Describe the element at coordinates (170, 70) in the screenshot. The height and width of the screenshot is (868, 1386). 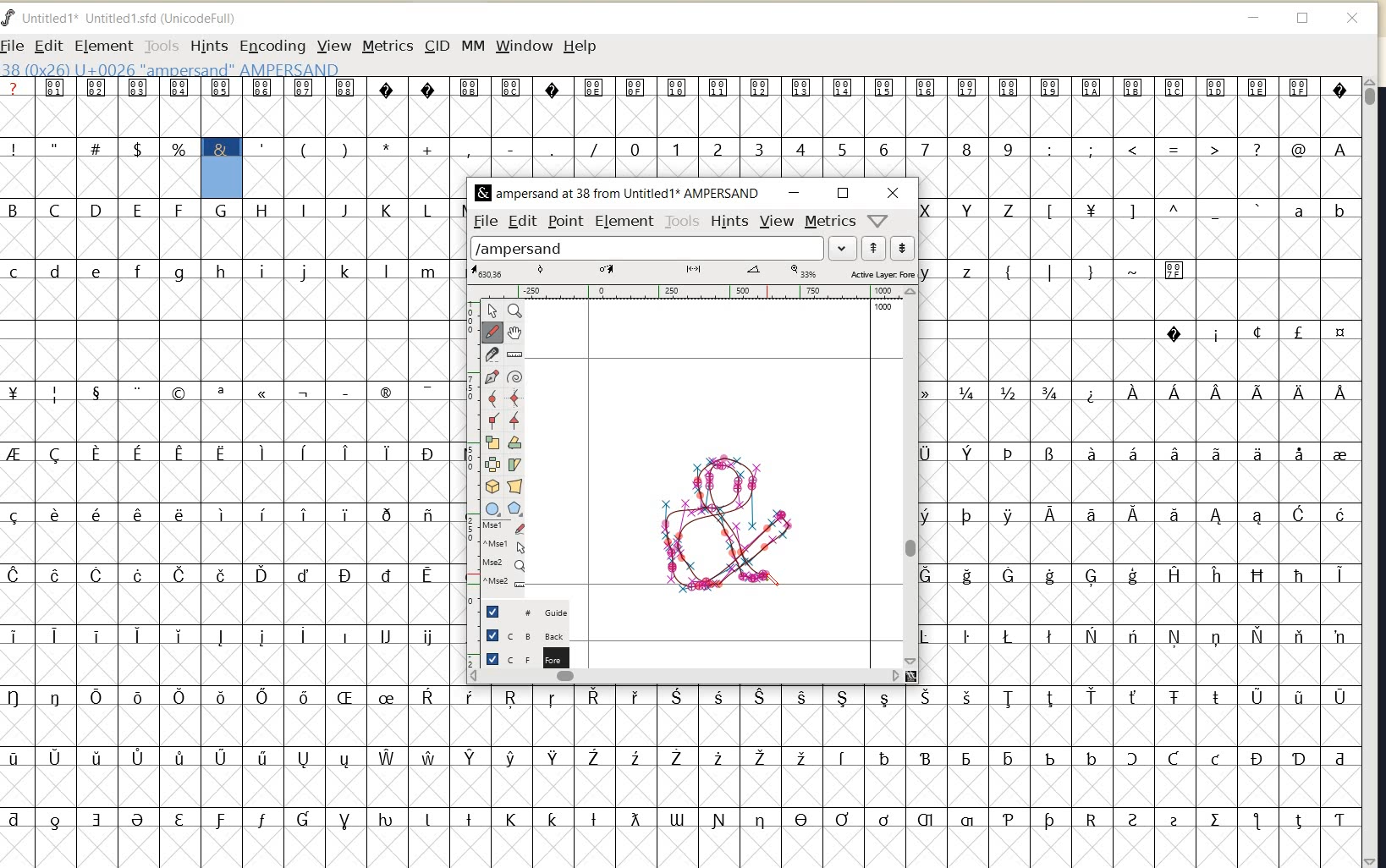
I see `GLYPHY INFO` at that location.